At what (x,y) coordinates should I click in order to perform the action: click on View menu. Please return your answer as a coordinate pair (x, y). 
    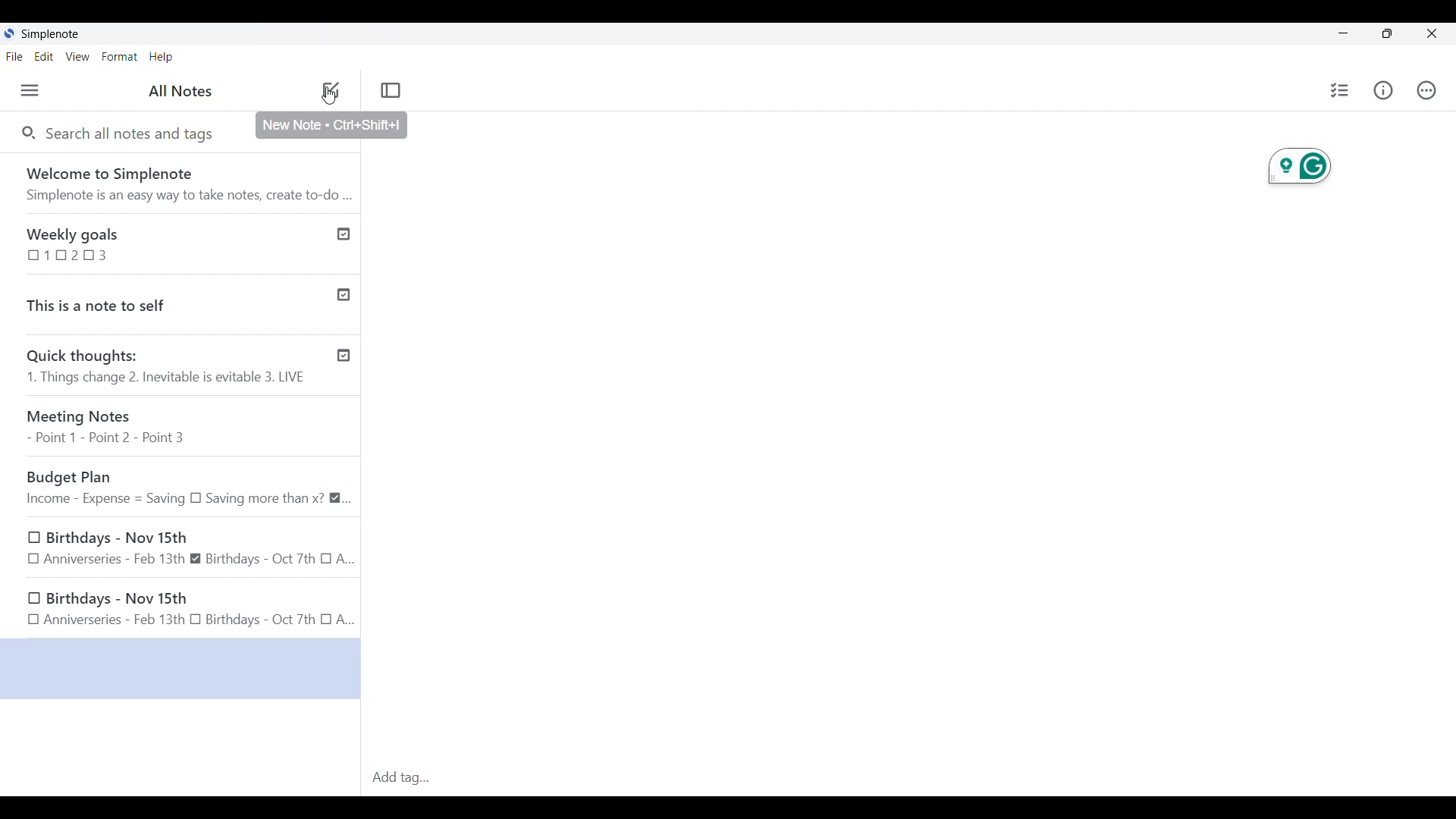
    Looking at the image, I should click on (78, 57).